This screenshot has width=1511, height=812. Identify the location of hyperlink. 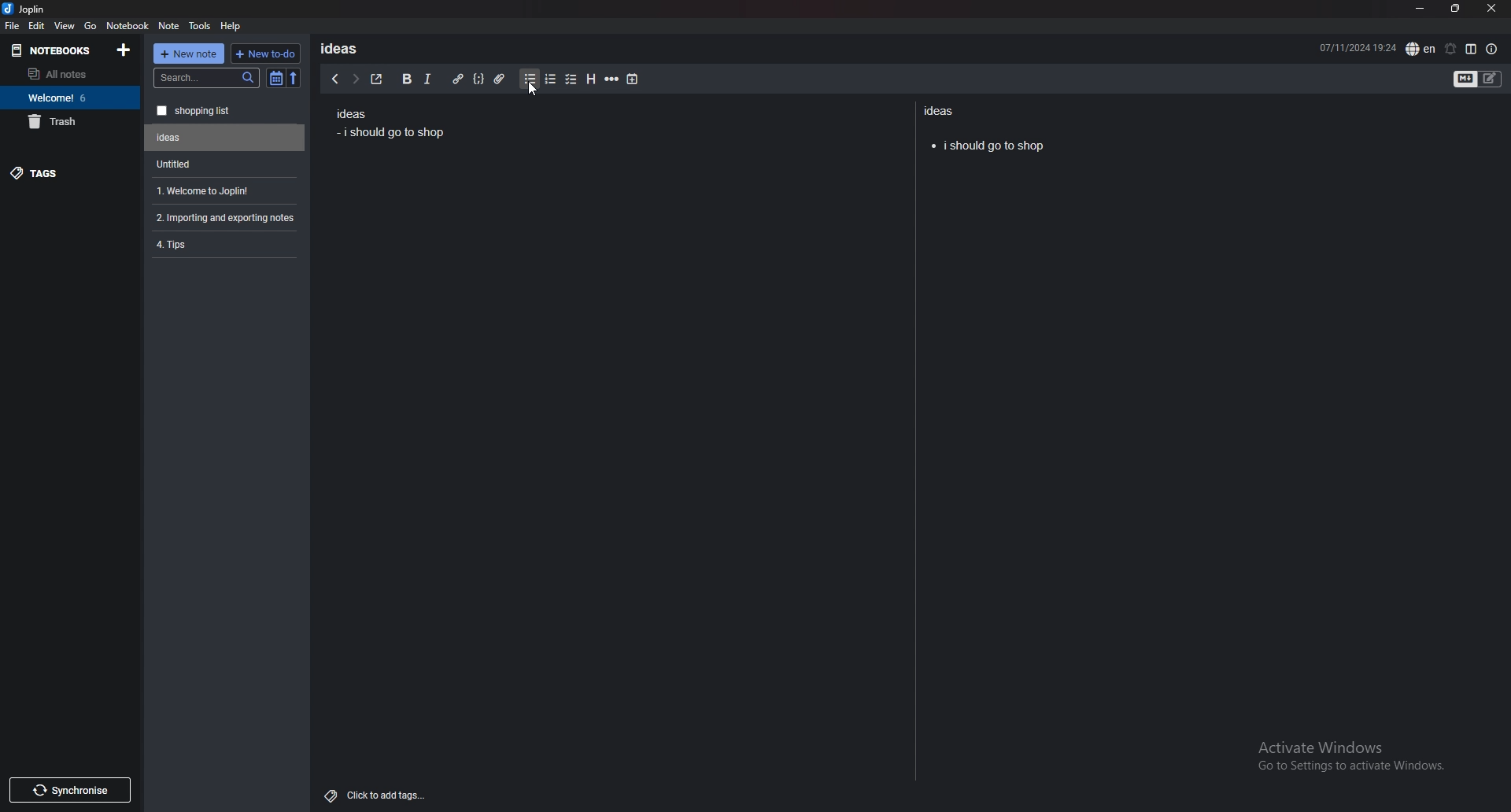
(457, 79).